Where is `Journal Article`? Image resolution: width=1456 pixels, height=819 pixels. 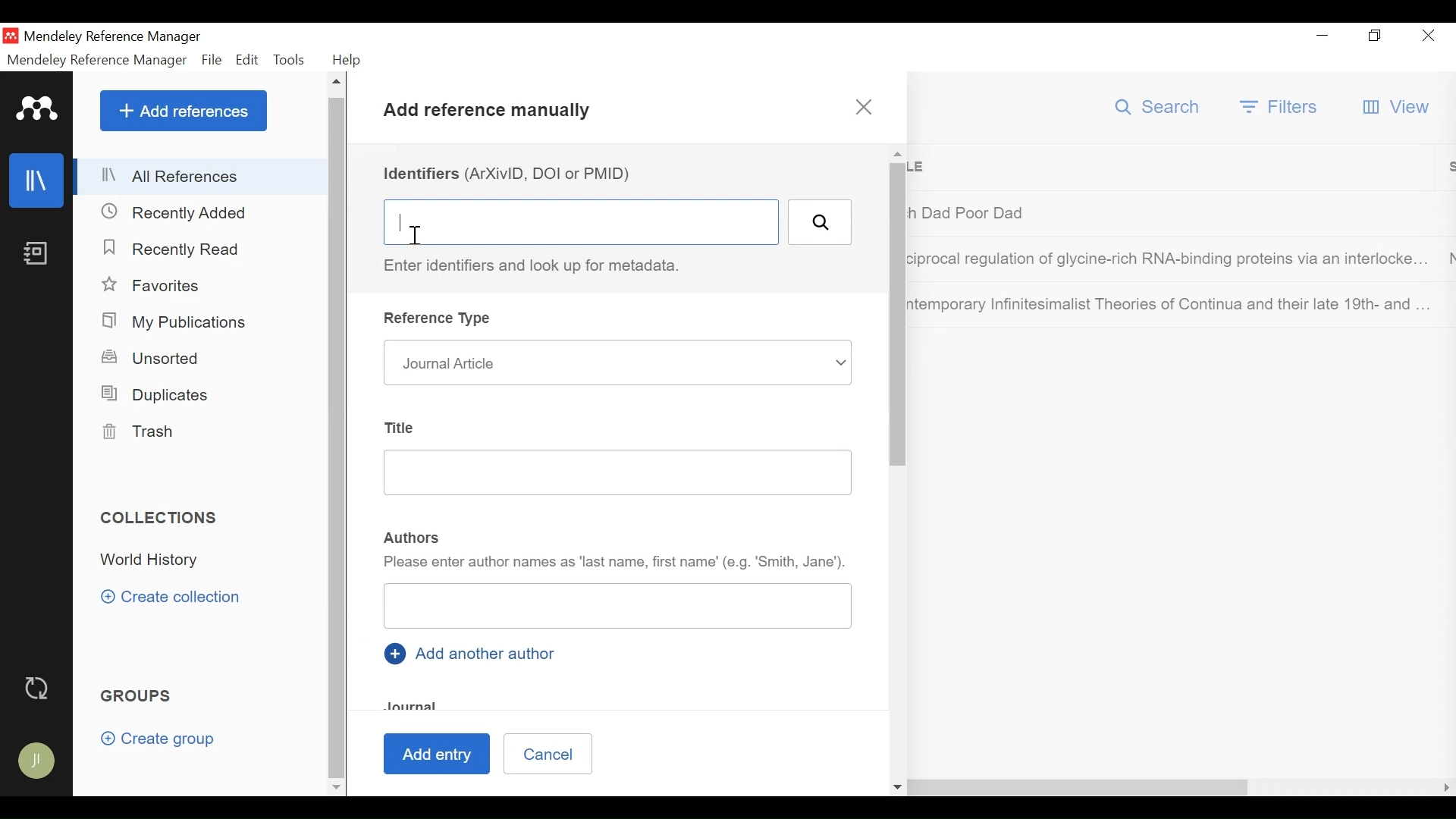
Journal Article is located at coordinates (615, 362).